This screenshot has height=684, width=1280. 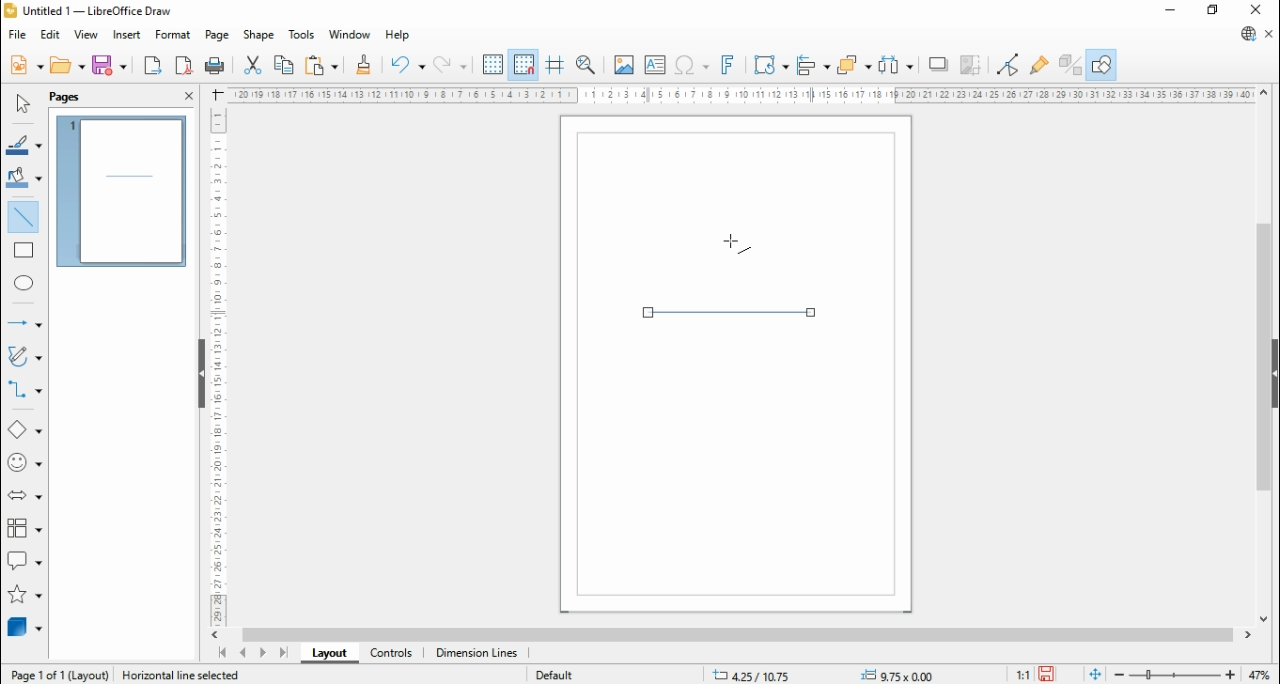 I want to click on layout, so click(x=327, y=652).